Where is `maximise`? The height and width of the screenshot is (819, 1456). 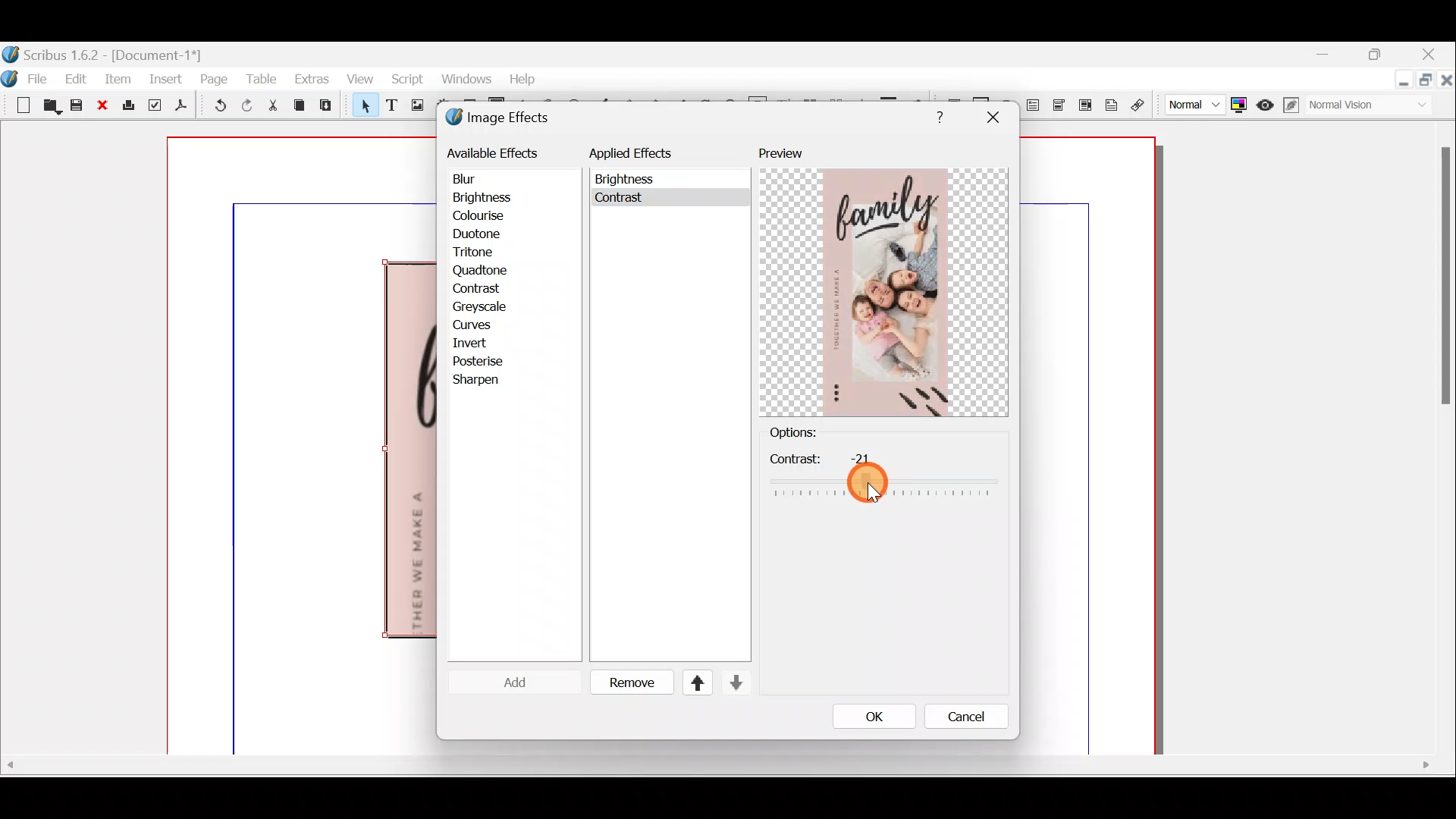
maximise is located at coordinates (1379, 57).